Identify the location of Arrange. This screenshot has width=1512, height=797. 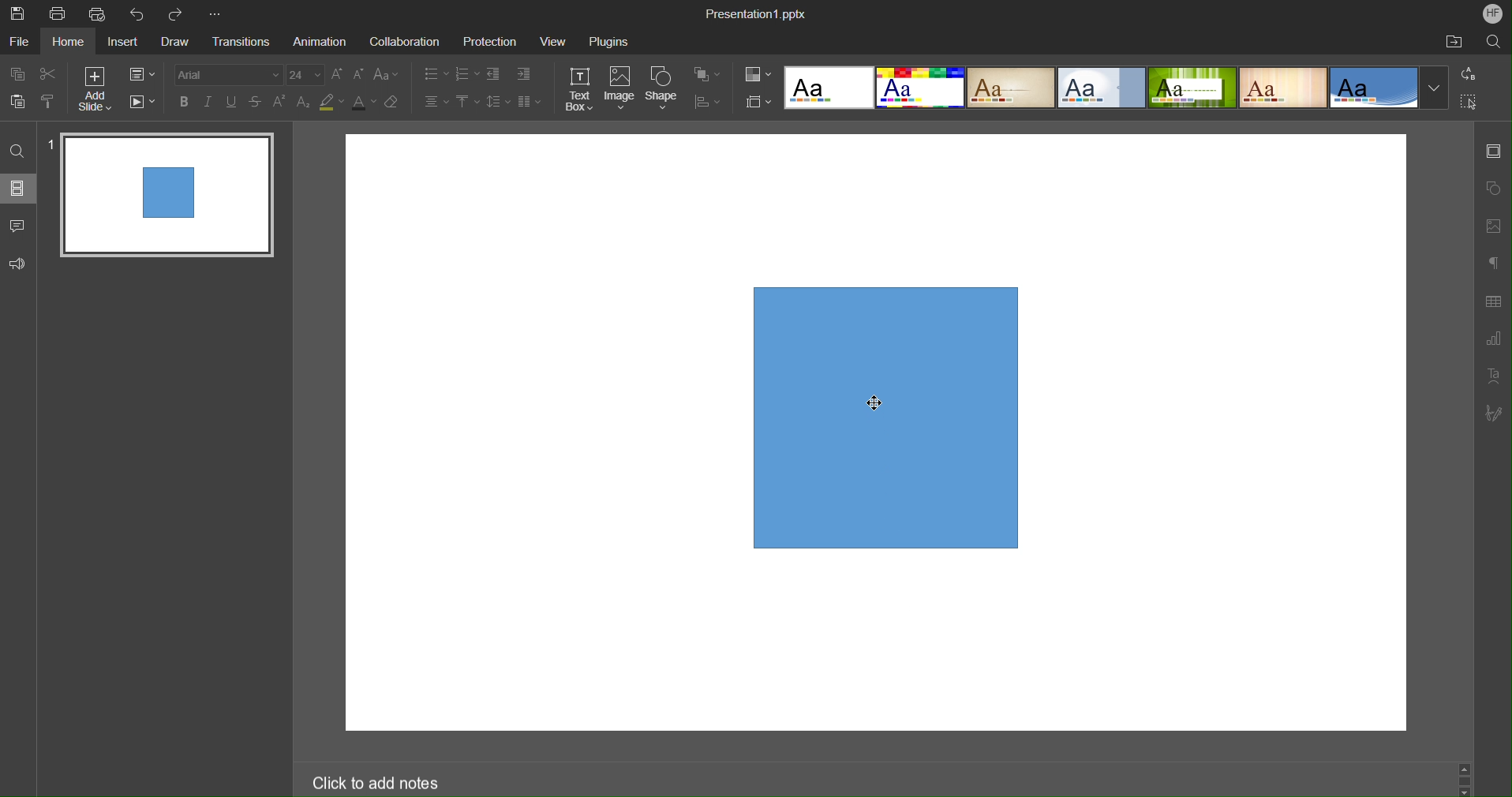
(709, 74).